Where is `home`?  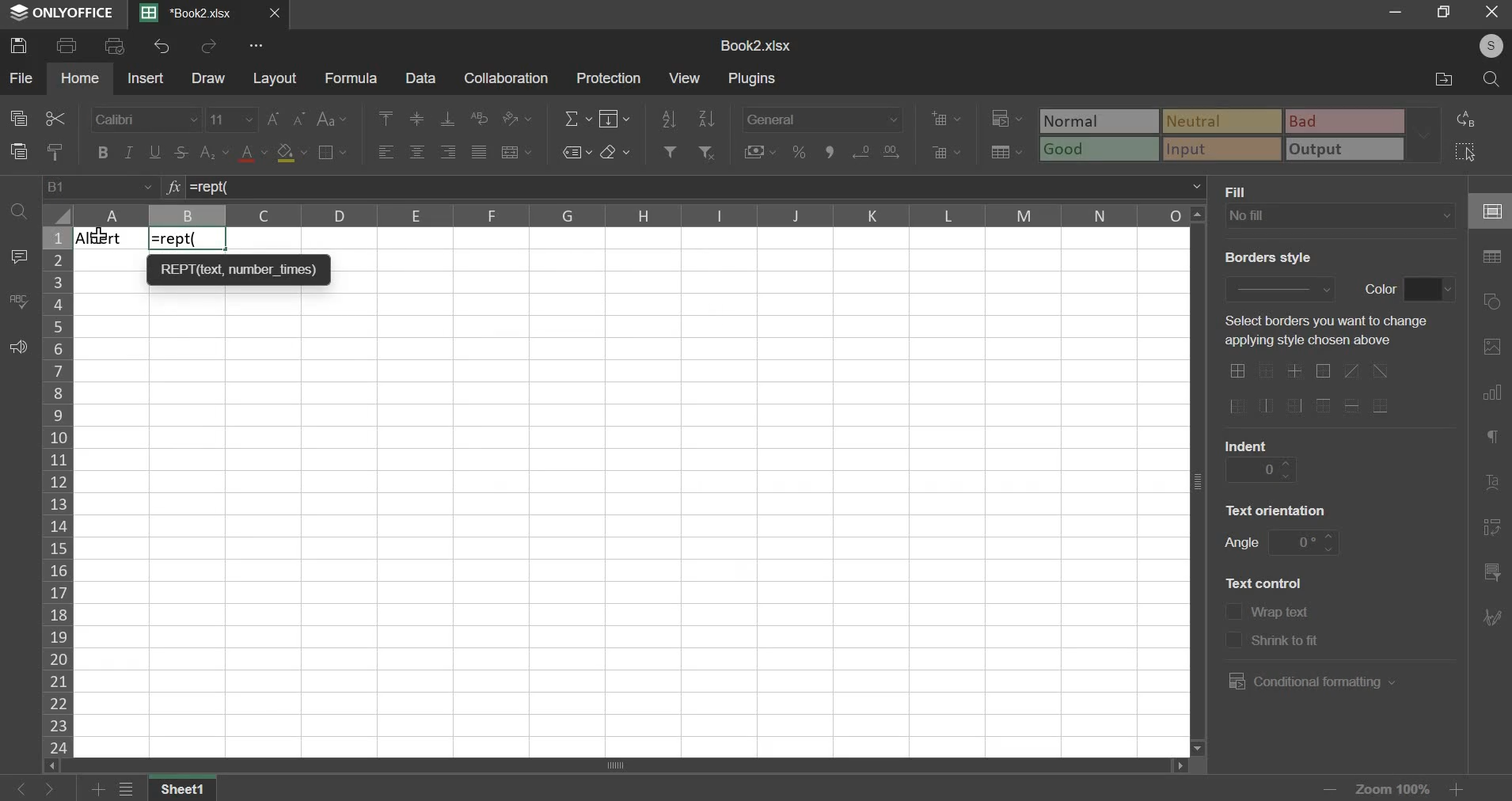 home is located at coordinates (81, 79).